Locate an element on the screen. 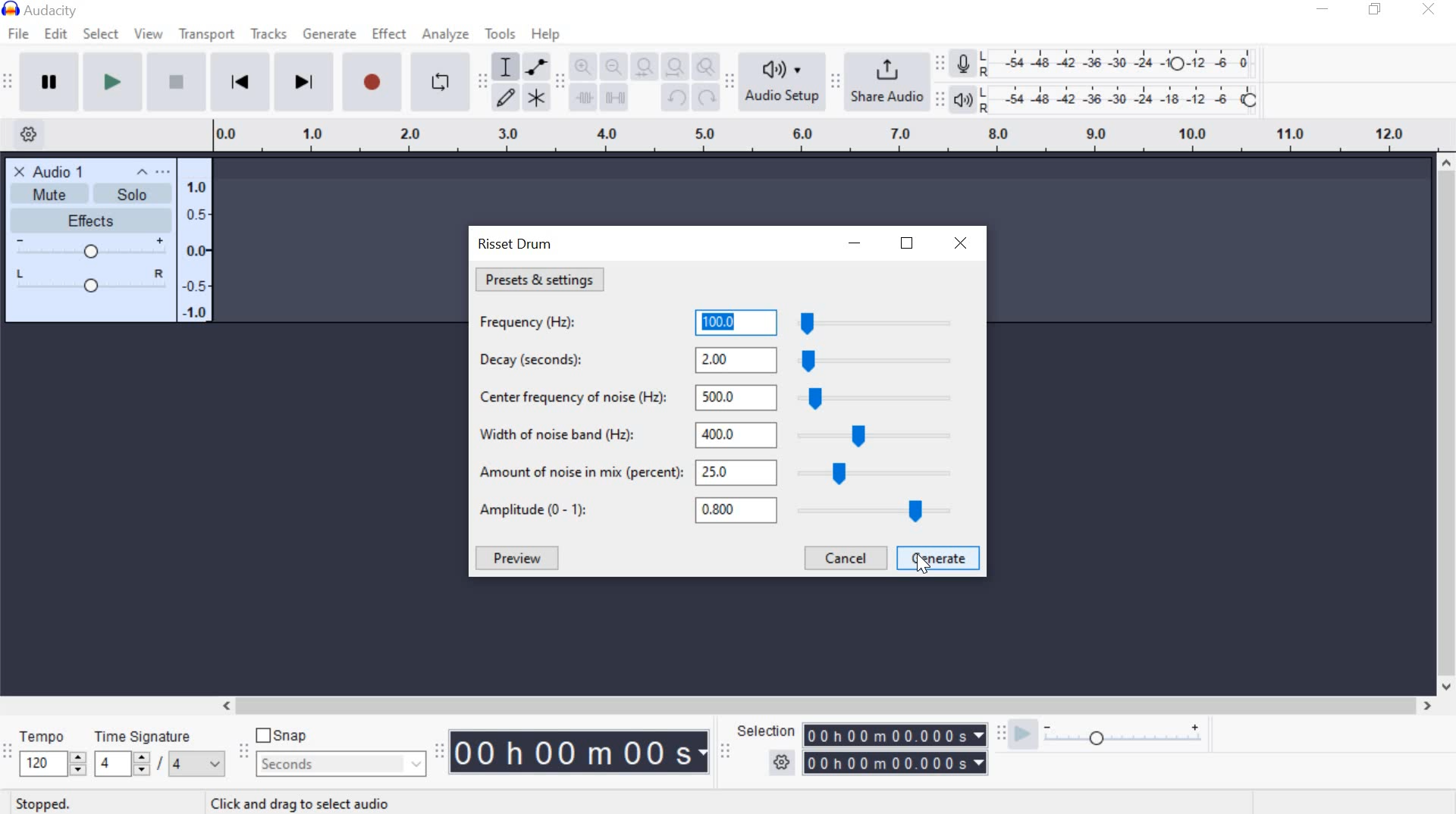 The height and width of the screenshot is (814, 1456). 1.0 Looping is located at coordinates (196, 180).